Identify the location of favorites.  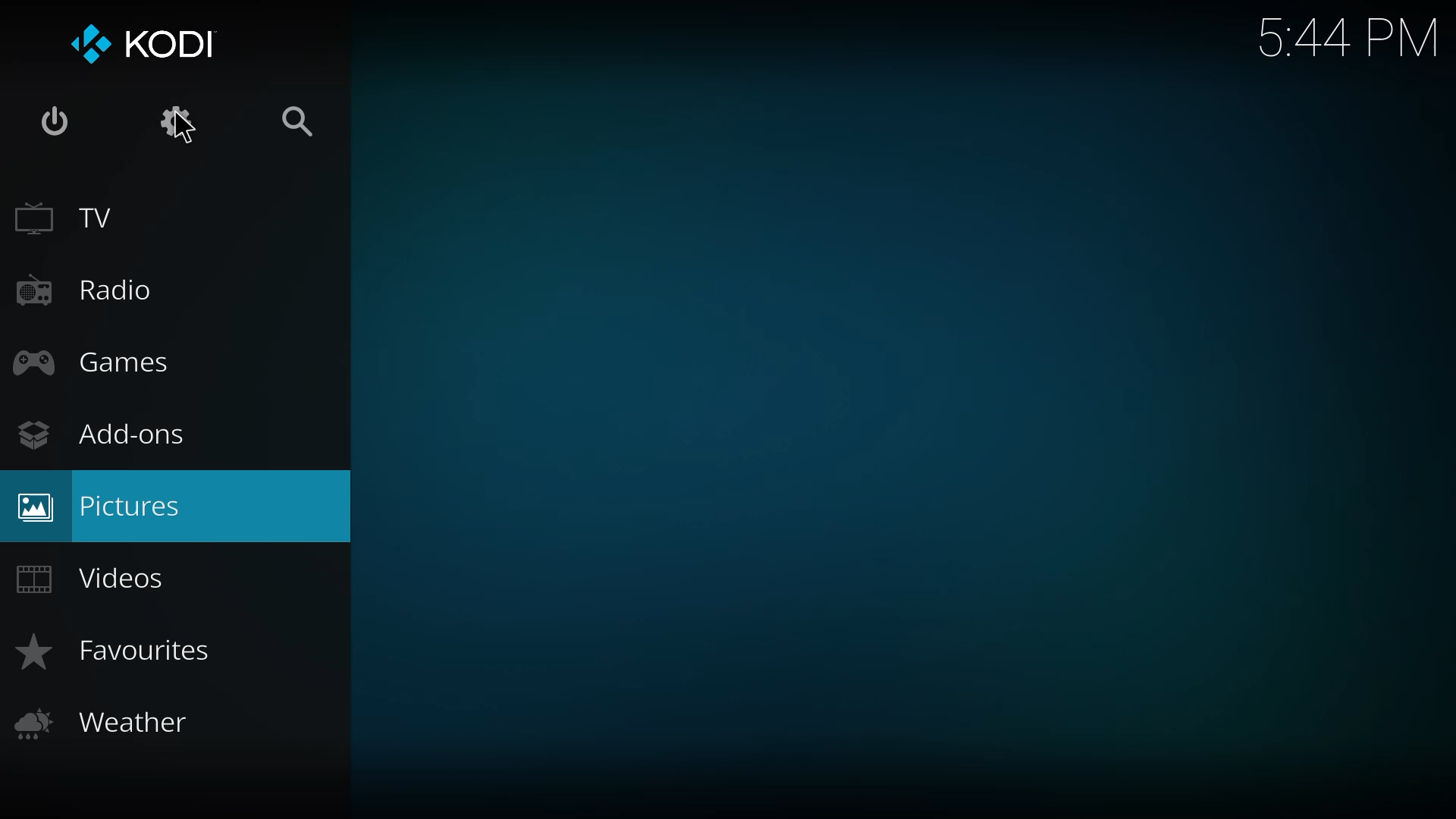
(121, 646).